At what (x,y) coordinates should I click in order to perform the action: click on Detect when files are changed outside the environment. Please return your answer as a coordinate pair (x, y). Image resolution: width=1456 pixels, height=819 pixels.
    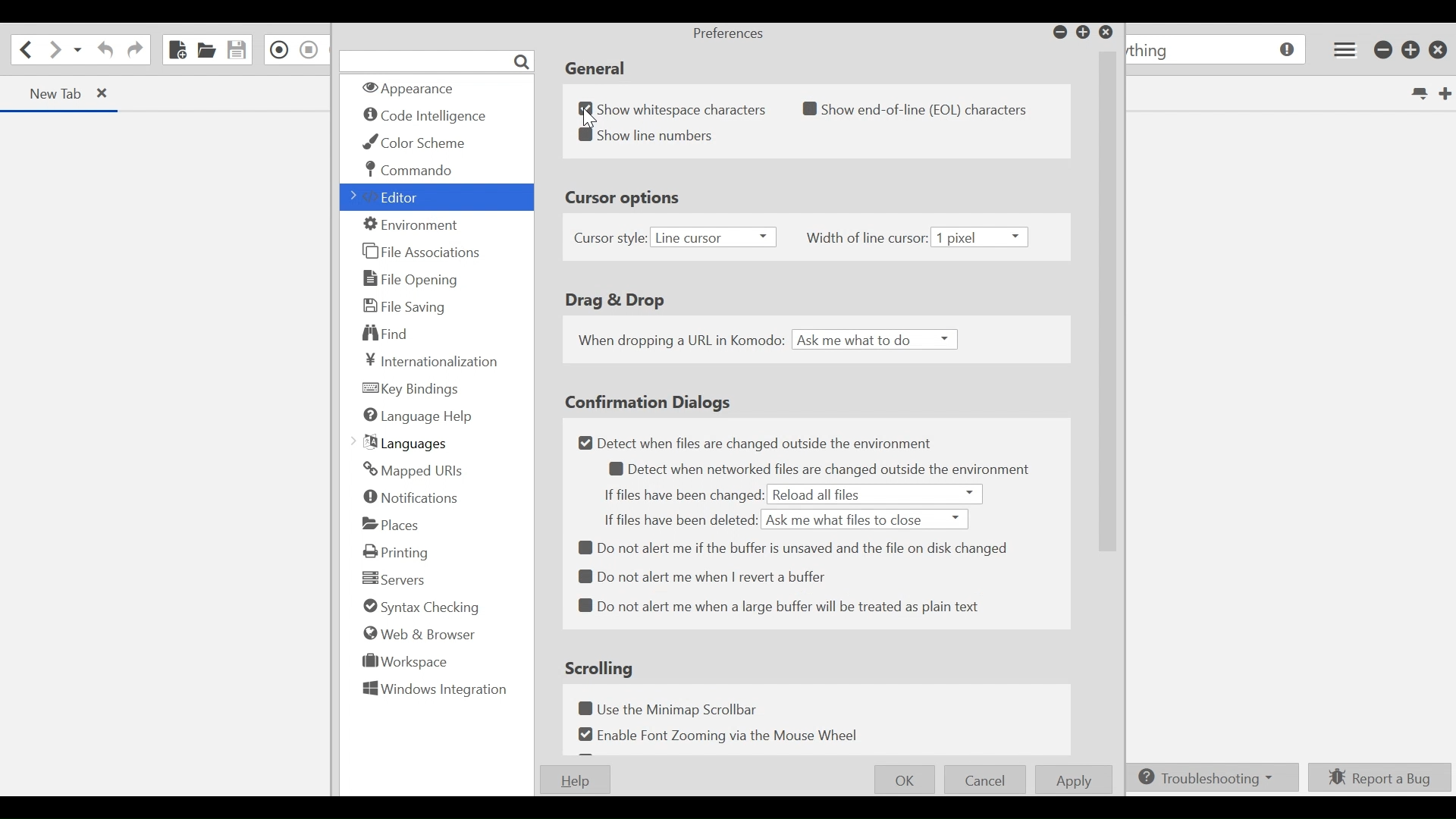
    Looking at the image, I should click on (757, 444).